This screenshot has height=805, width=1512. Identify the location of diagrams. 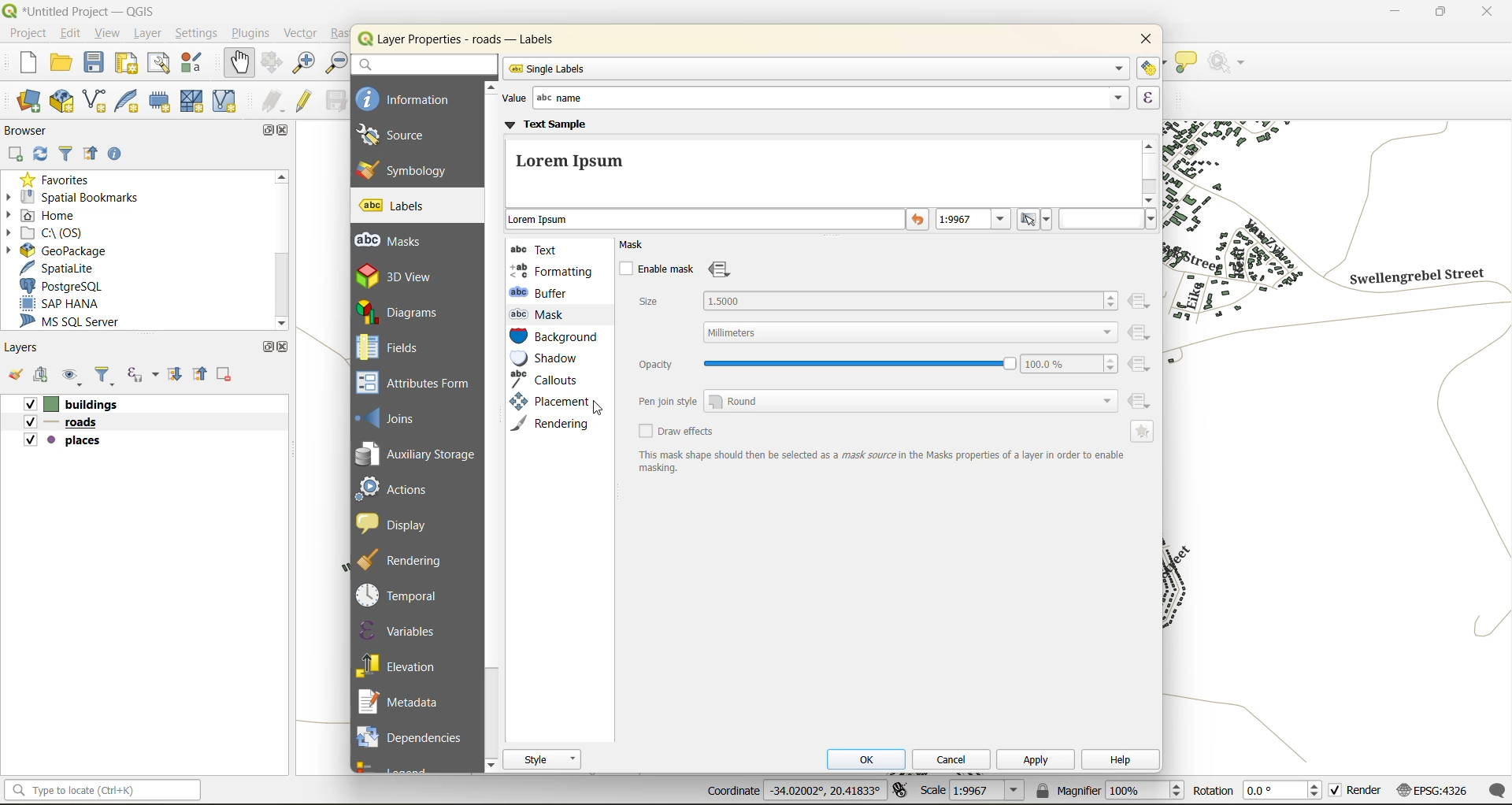
(407, 312).